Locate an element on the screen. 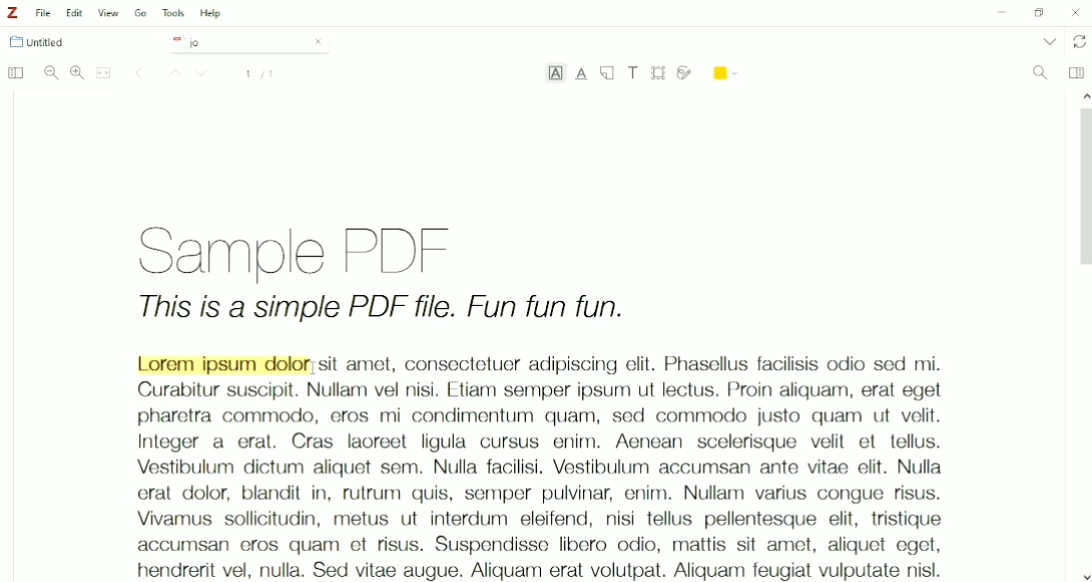 Image resolution: width=1092 pixels, height=582 pixels. jo is located at coordinates (234, 43).